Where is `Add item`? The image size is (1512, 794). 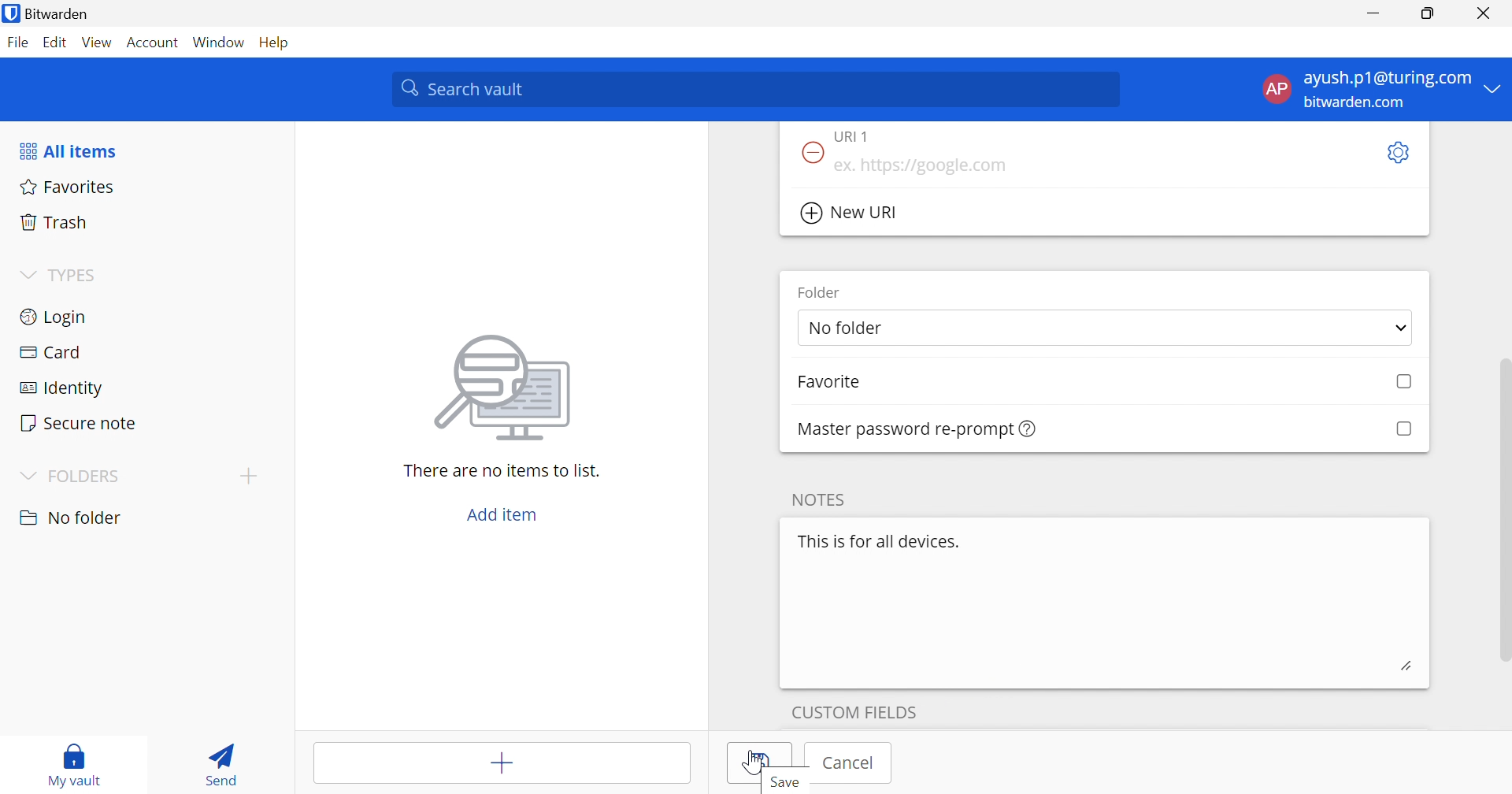
Add item is located at coordinates (502, 514).